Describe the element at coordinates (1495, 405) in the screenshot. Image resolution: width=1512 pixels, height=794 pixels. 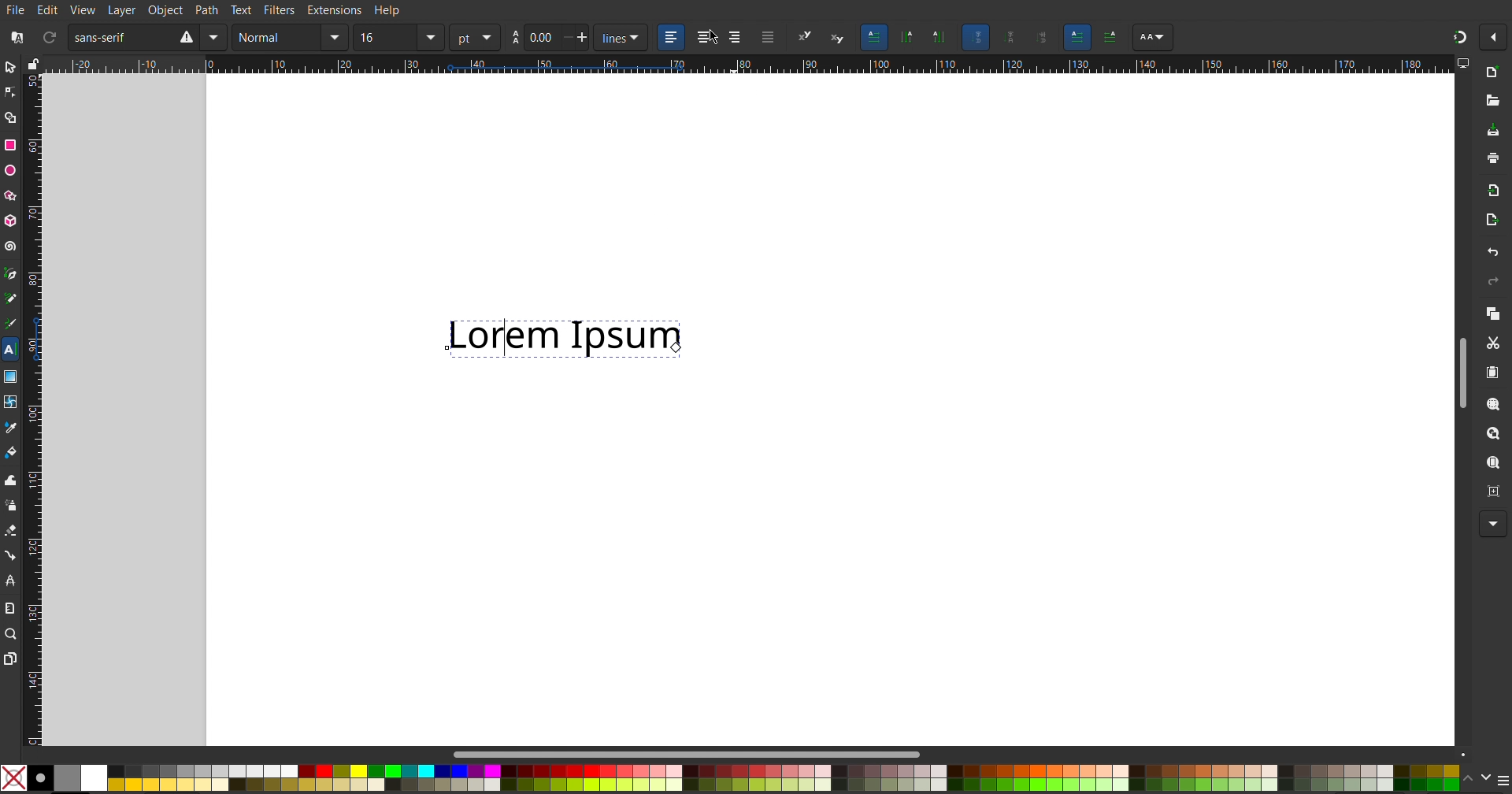
I see `Zoom Selection` at that location.